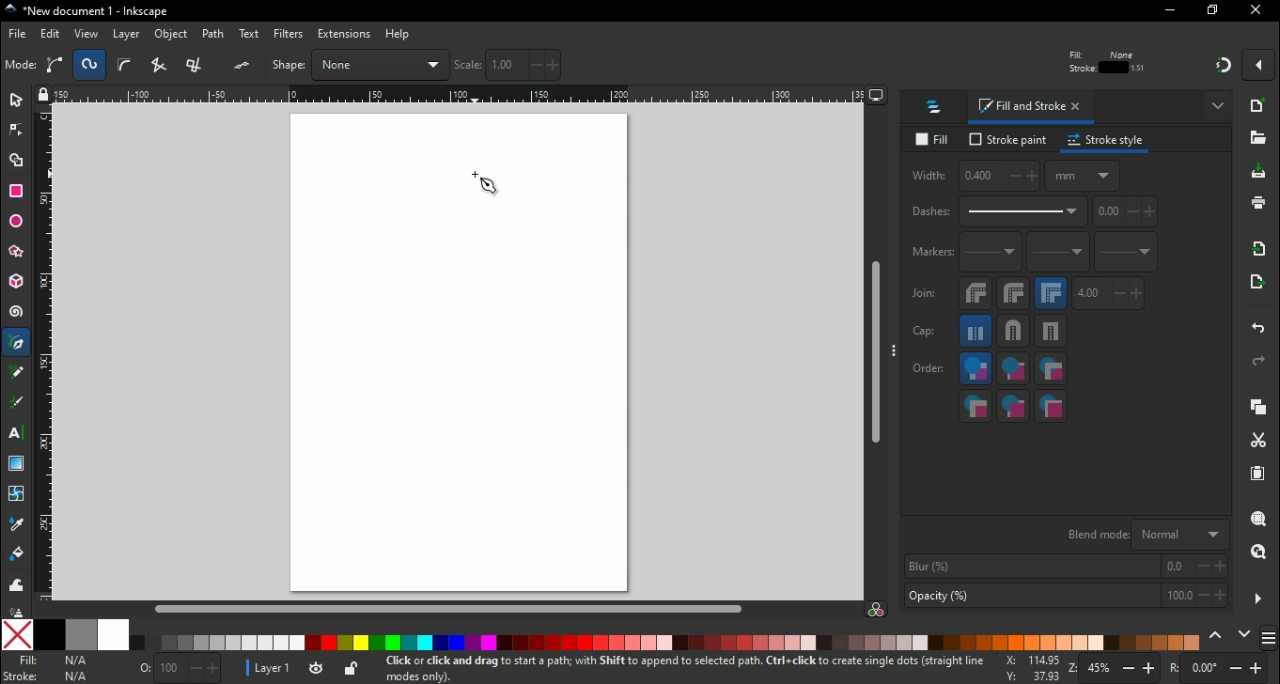 The image size is (1280, 684). What do you see at coordinates (1224, 69) in the screenshot?
I see `snapping: on/off` at bounding box center [1224, 69].